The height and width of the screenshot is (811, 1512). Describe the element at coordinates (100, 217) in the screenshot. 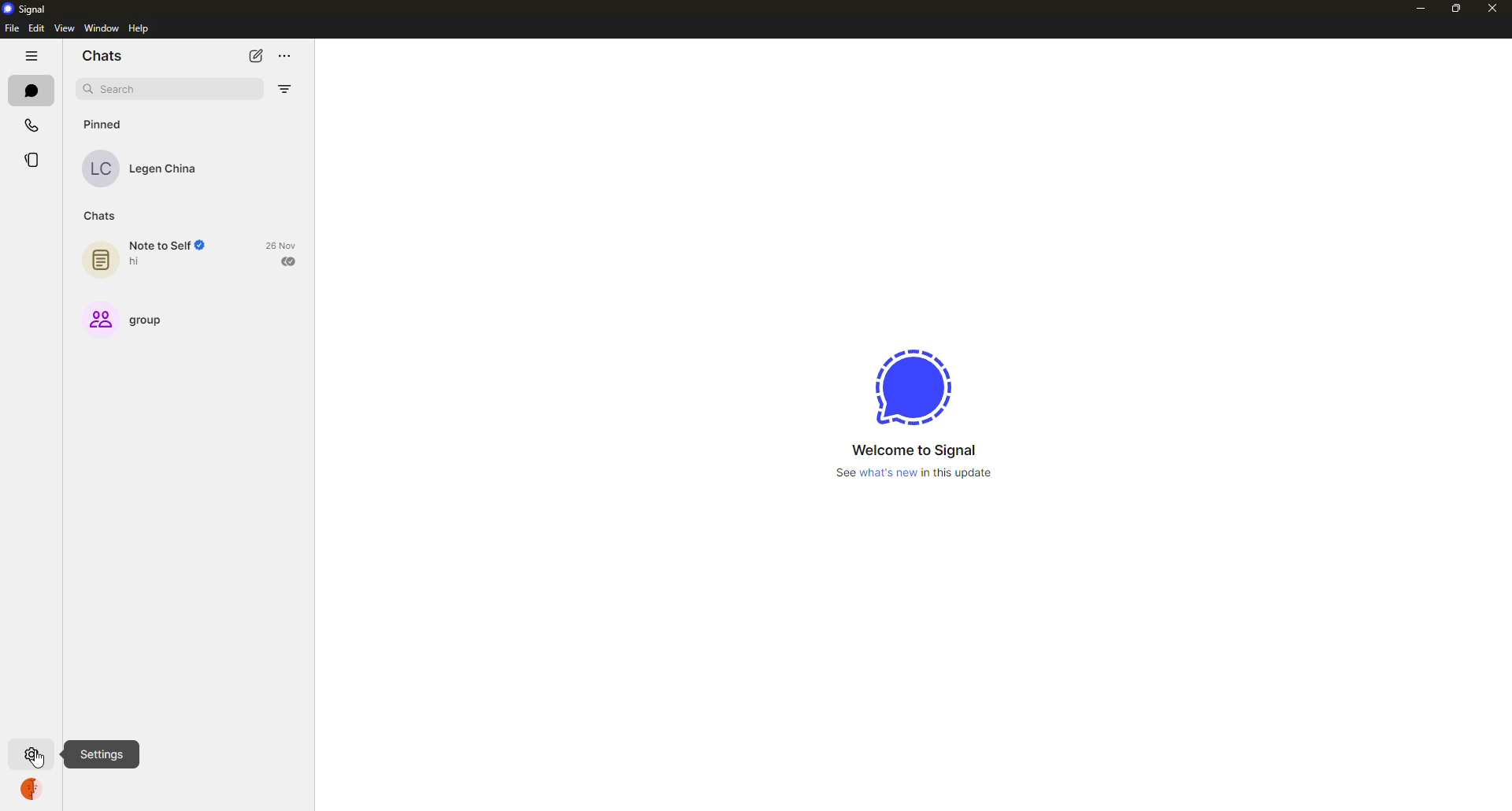

I see `chats` at that location.